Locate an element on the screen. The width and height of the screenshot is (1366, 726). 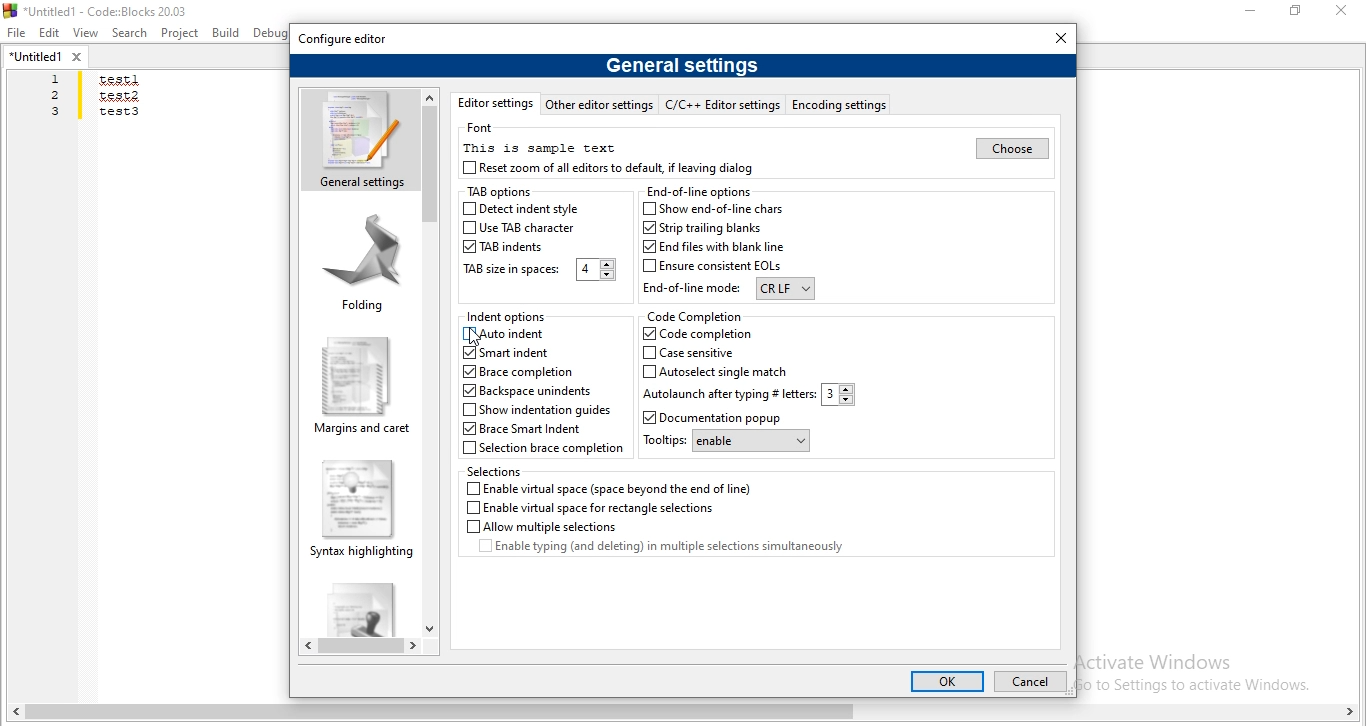
Autoselect single match is located at coordinates (717, 371).